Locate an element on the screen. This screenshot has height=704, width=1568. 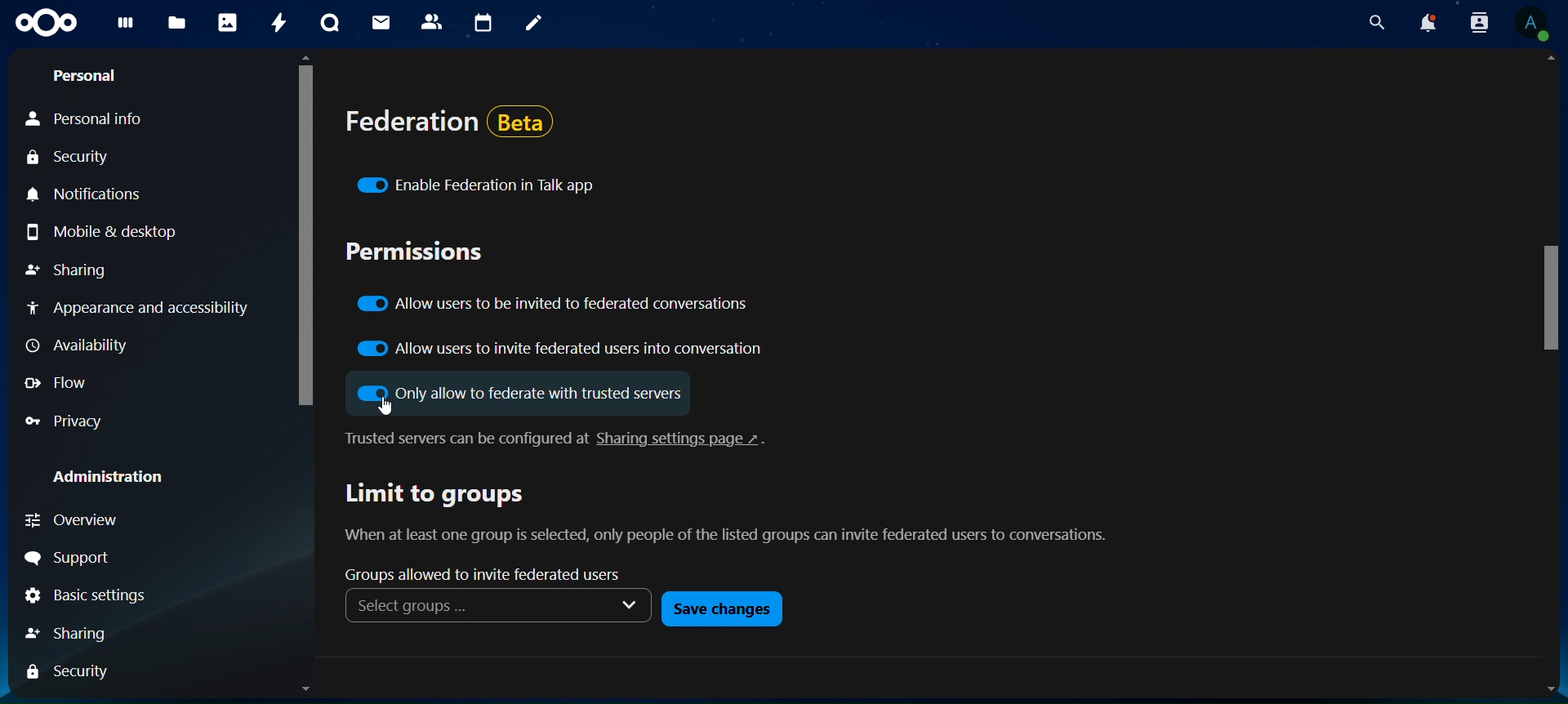
only allow to federate with trusted servers is located at coordinates (516, 391).